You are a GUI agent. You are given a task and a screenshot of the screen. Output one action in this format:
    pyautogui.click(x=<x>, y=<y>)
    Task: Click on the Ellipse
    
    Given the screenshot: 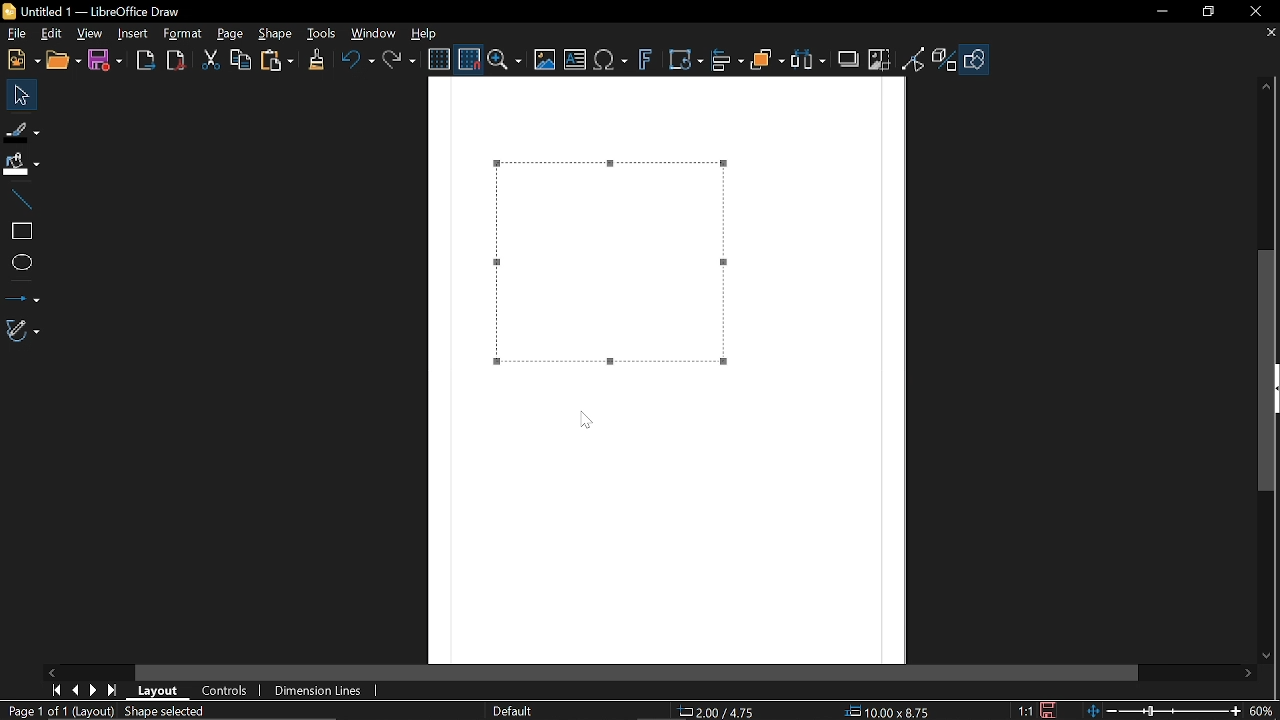 What is the action you would take?
    pyautogui.click(x=20, y=261)
    